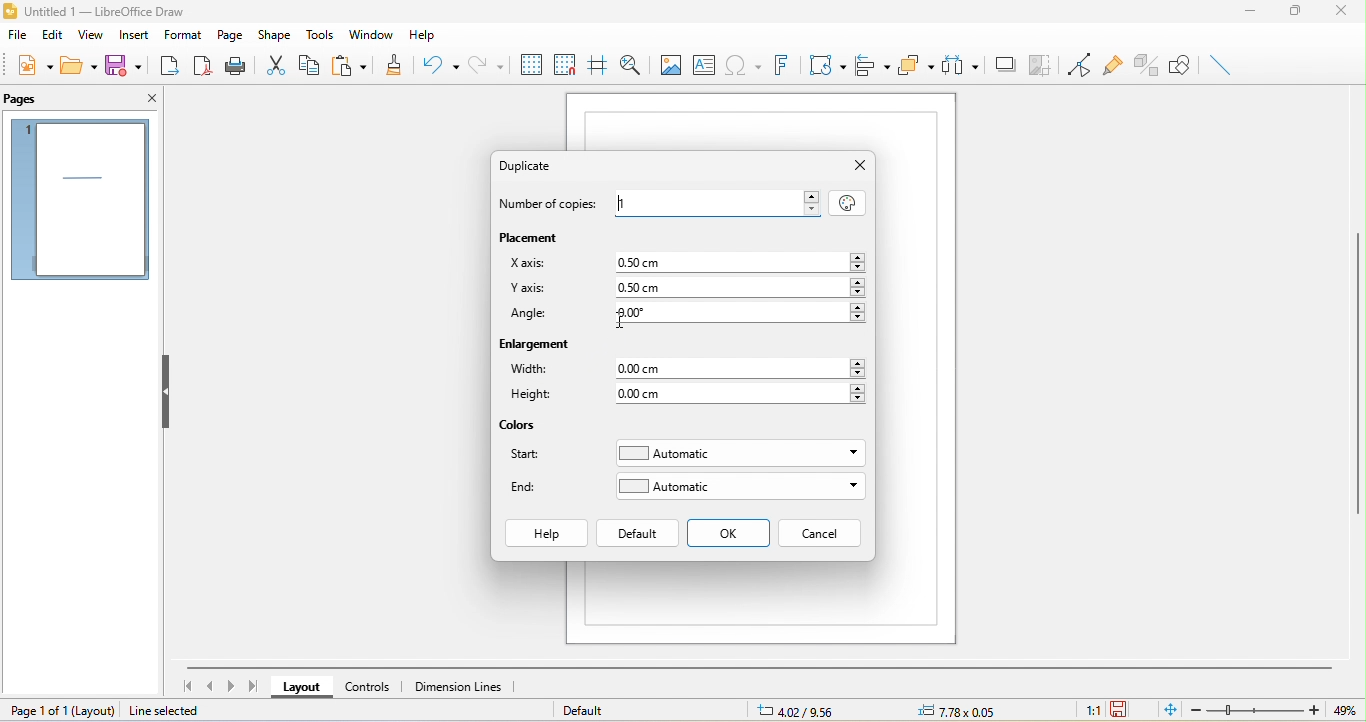 The height and width of the screenshot is (722, 1366). What do you see at coordinates (743, 368) in the screenshot?
I see `0.00 cm` at bounding box center [743, 368].